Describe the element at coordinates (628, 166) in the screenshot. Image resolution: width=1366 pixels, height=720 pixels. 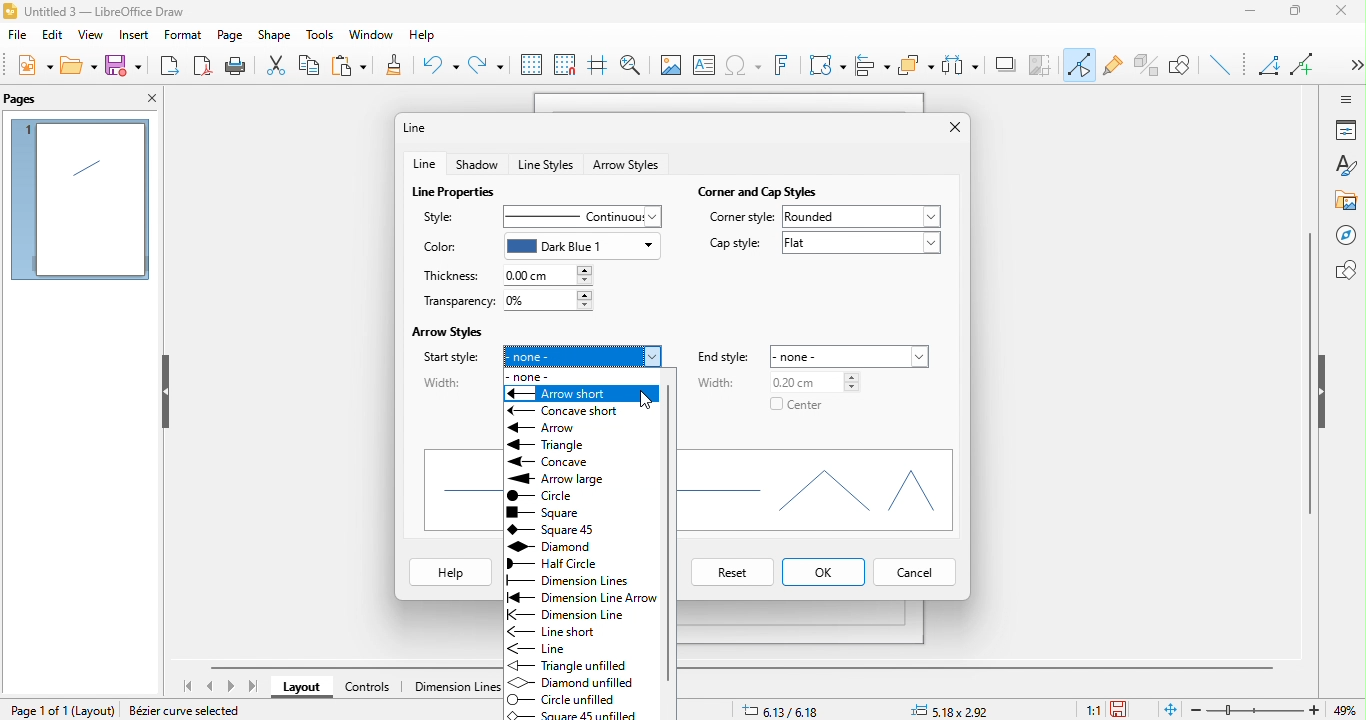
I see `arrow style` at that location.